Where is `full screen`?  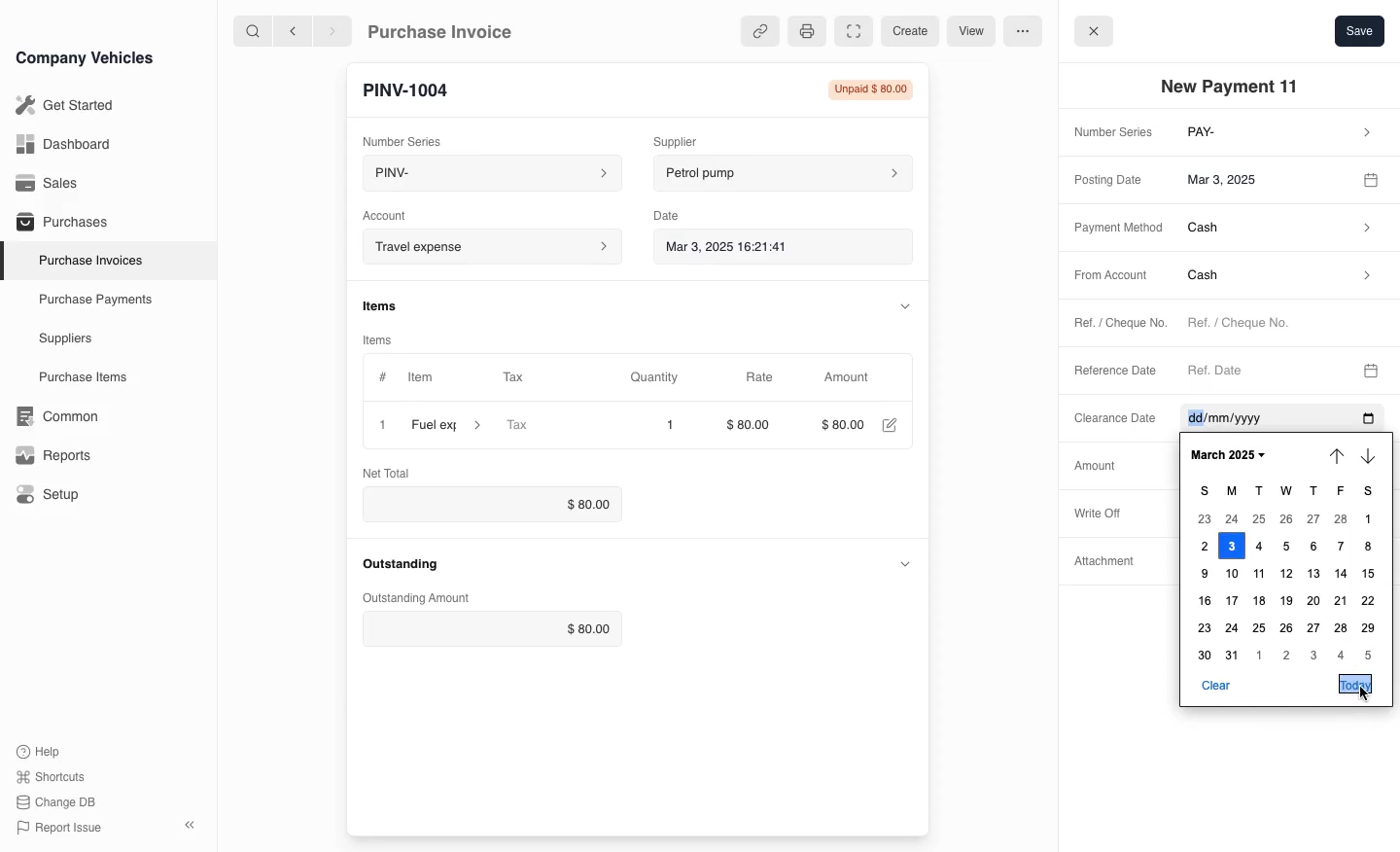 full screen is located at coordinates (853, 32).